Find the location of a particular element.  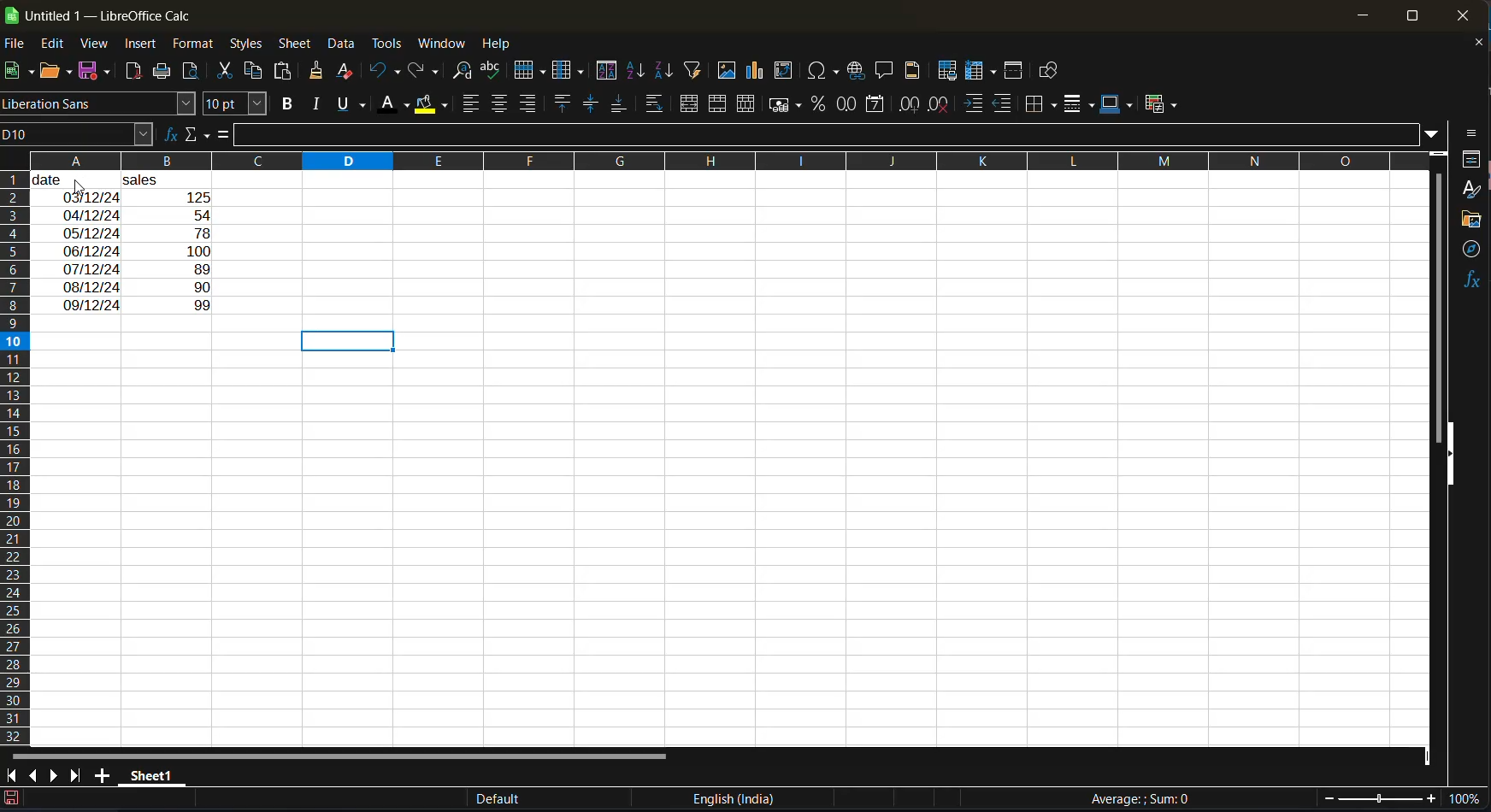

click to save is located at coordinates (11, 801).